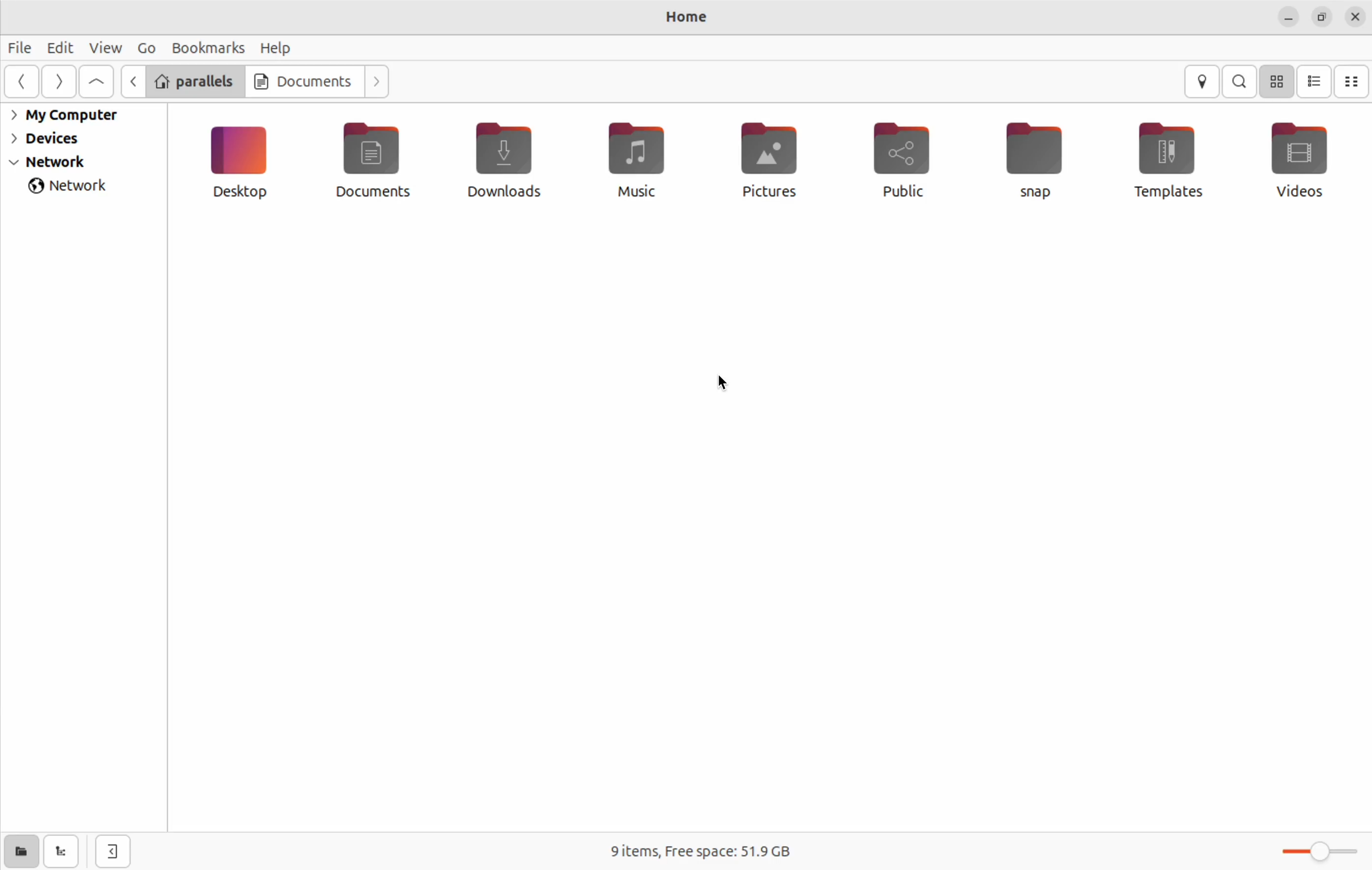 The height and width of the screenshot is (870, 1372). Describe the element at coordinates (1169, 161) in the screenshot. I see `Templates` at that location.